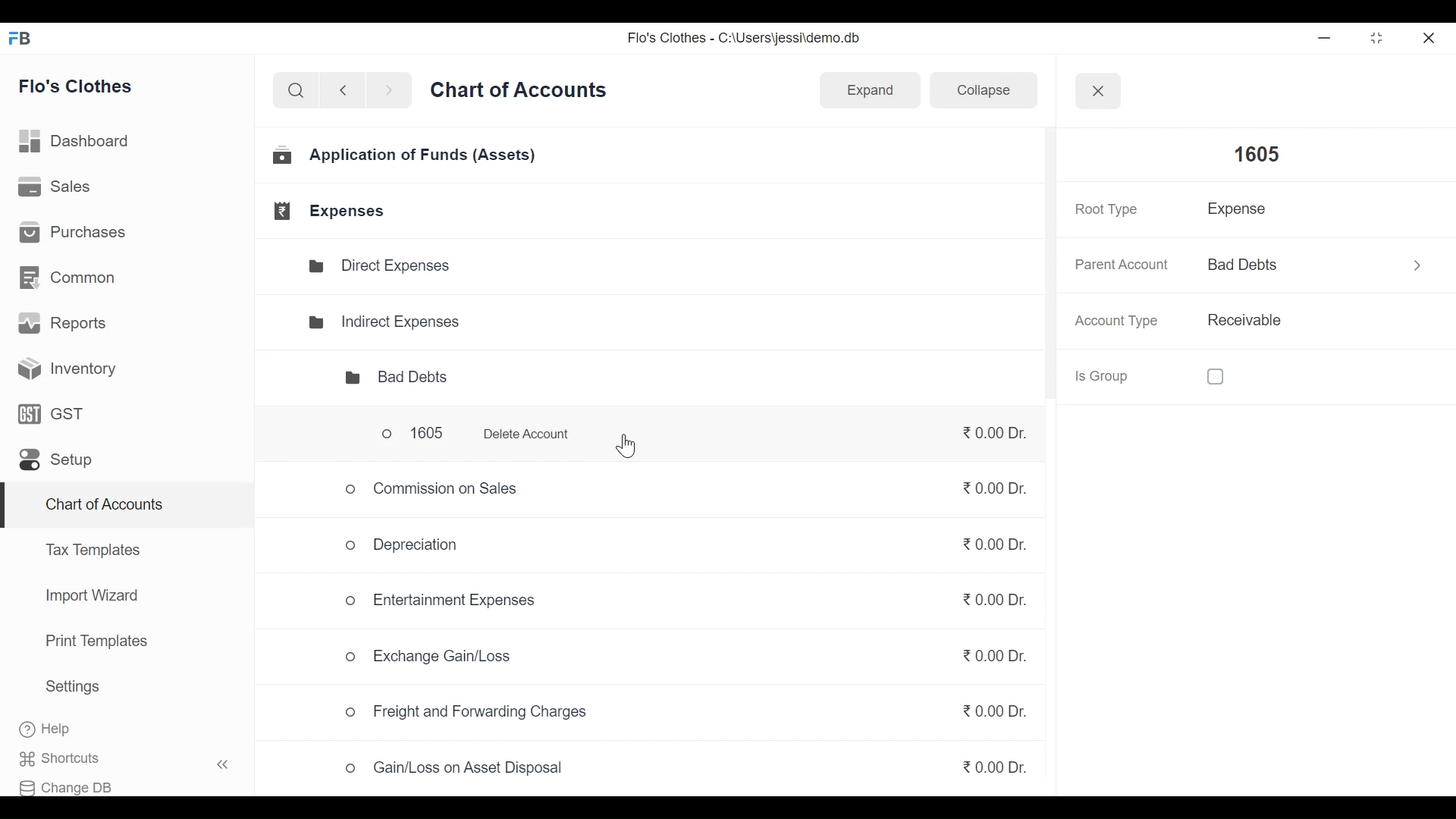 The width and height of the screenshot is (1456, 819). I want to click on Import Wizard, so click(87, 598).